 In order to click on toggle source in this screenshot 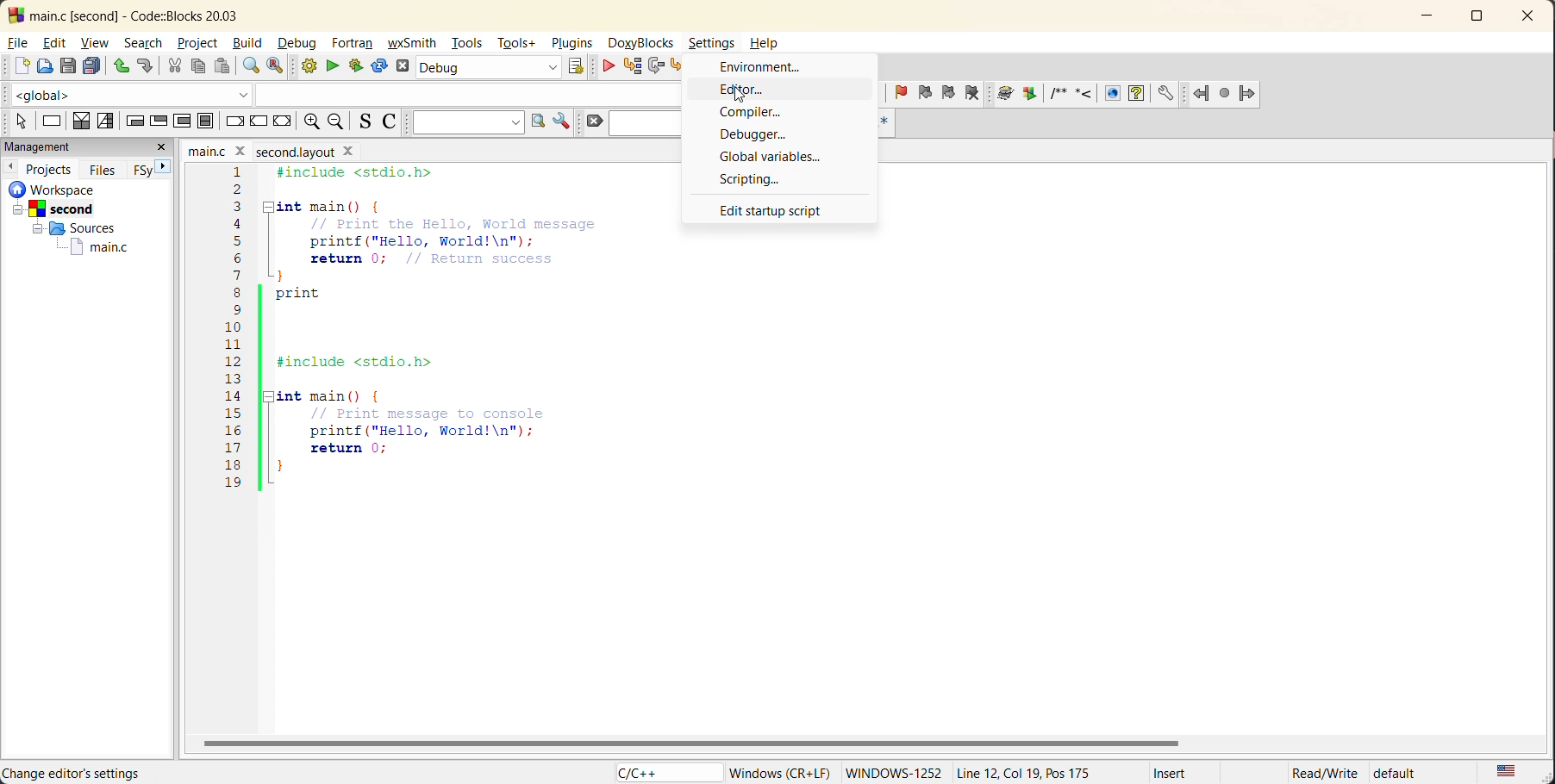, I will do `click(365, 121)`.